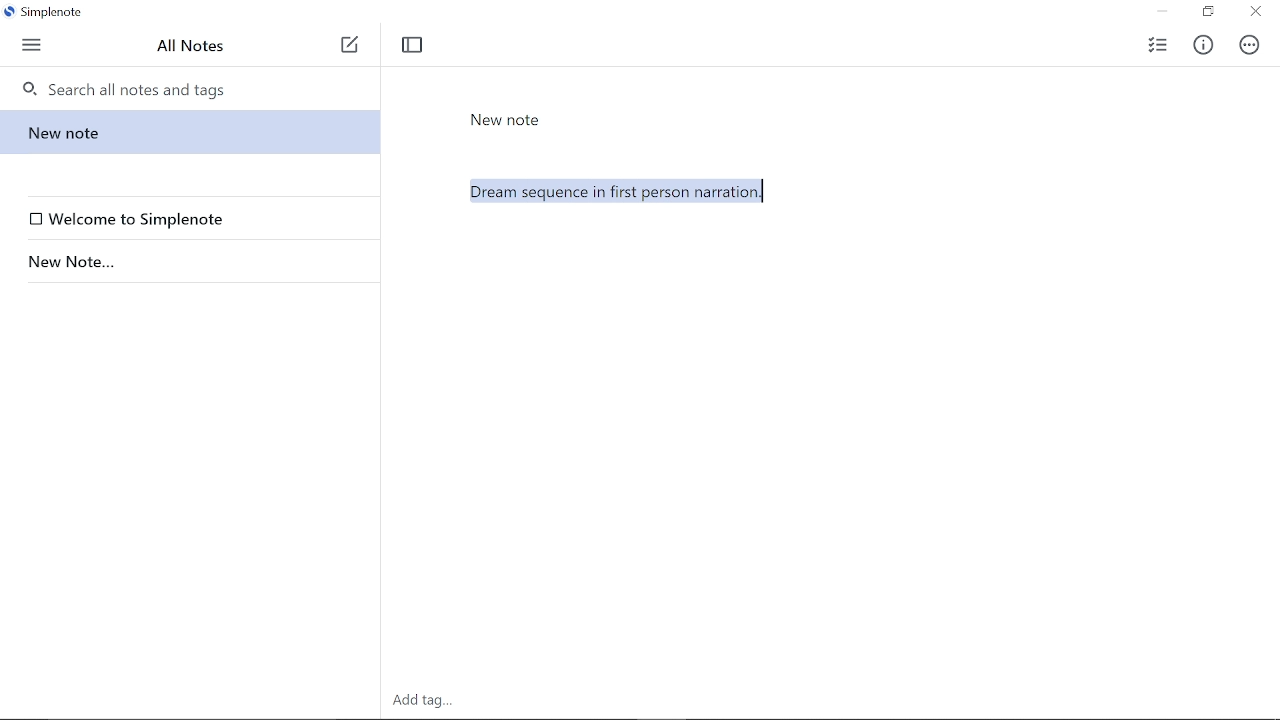  What do you see at coordinates (412, 45) in the screenshot?
I see `Toggle focus mode` at bounding box center [412, 45].